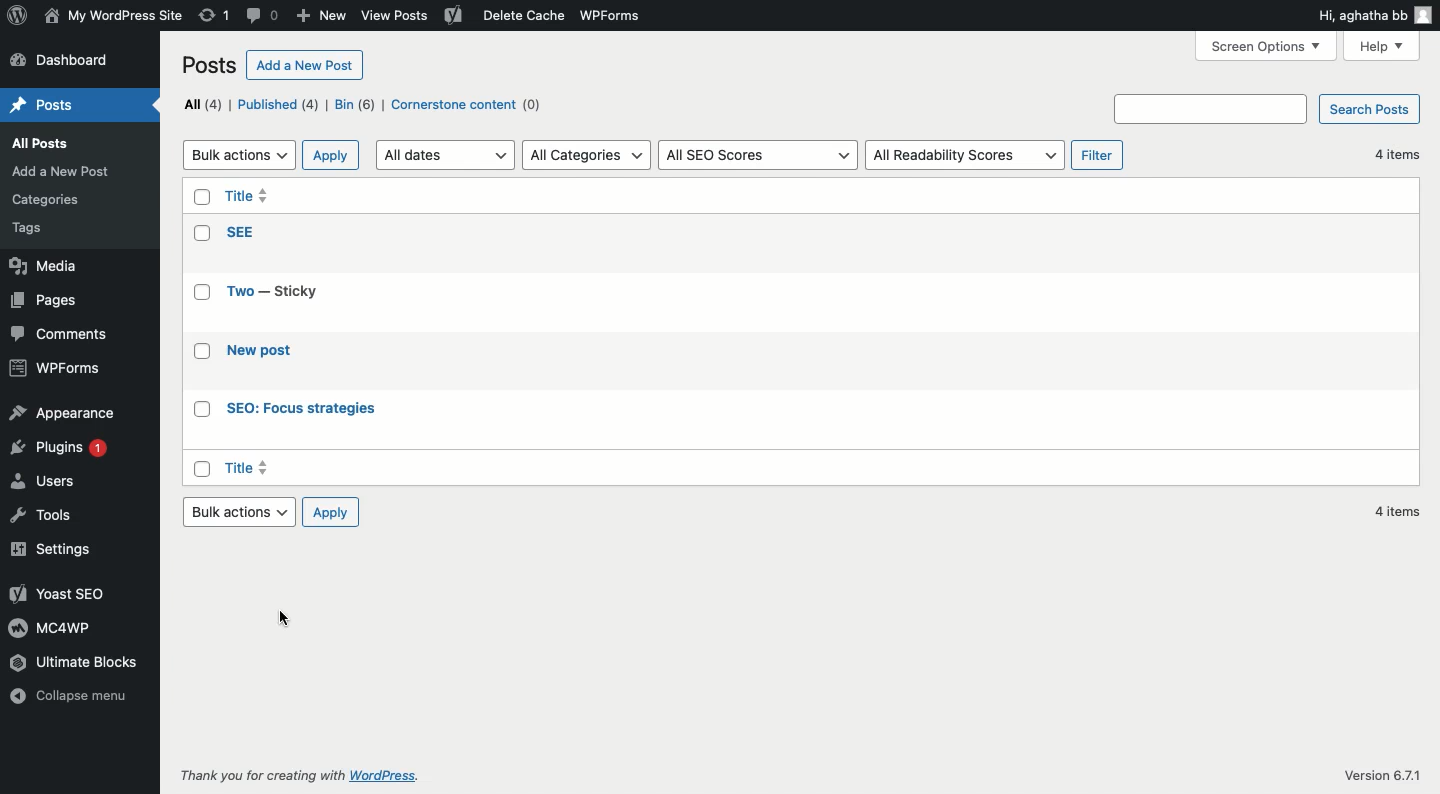  Describe the element at coordinates (40, 230) in the screenshot. I see `tags` at that location.